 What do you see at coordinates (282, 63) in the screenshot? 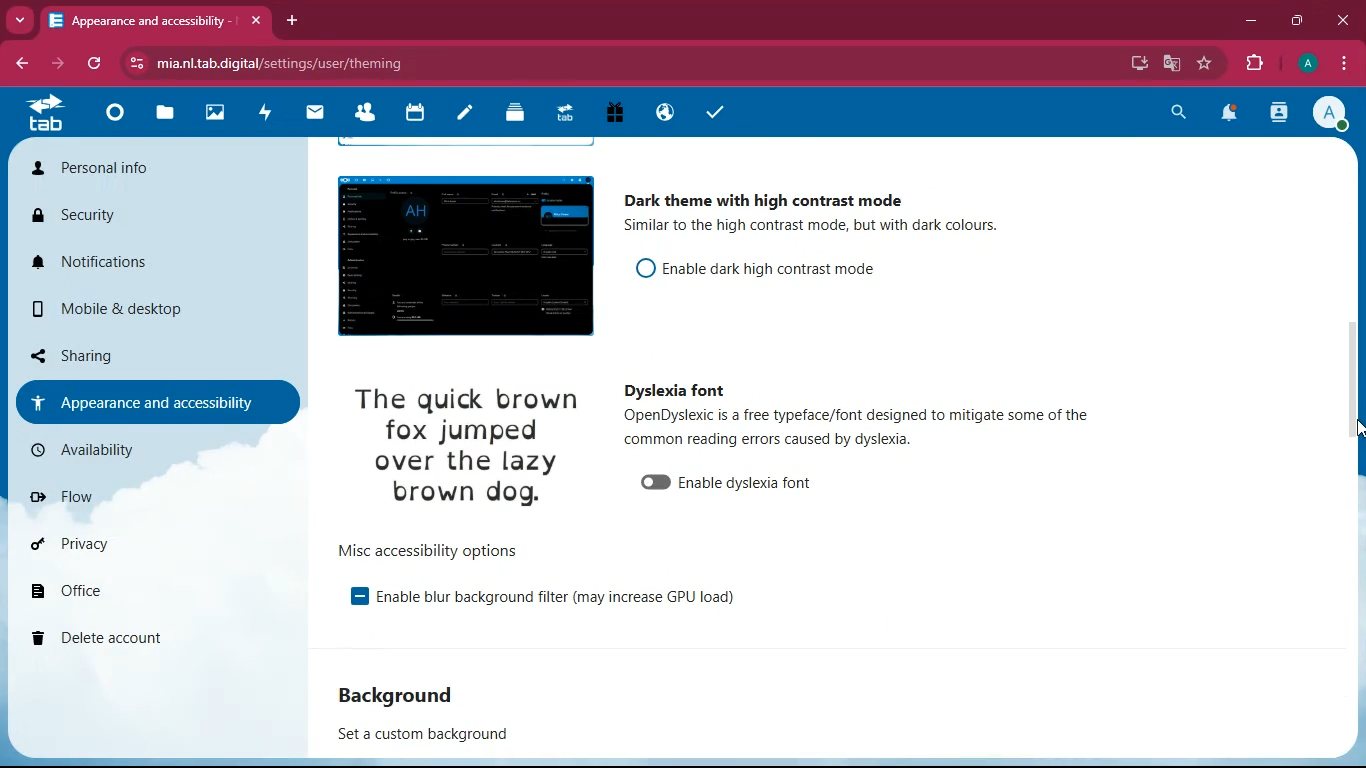
I see `url` at bounding box center [282, 63].